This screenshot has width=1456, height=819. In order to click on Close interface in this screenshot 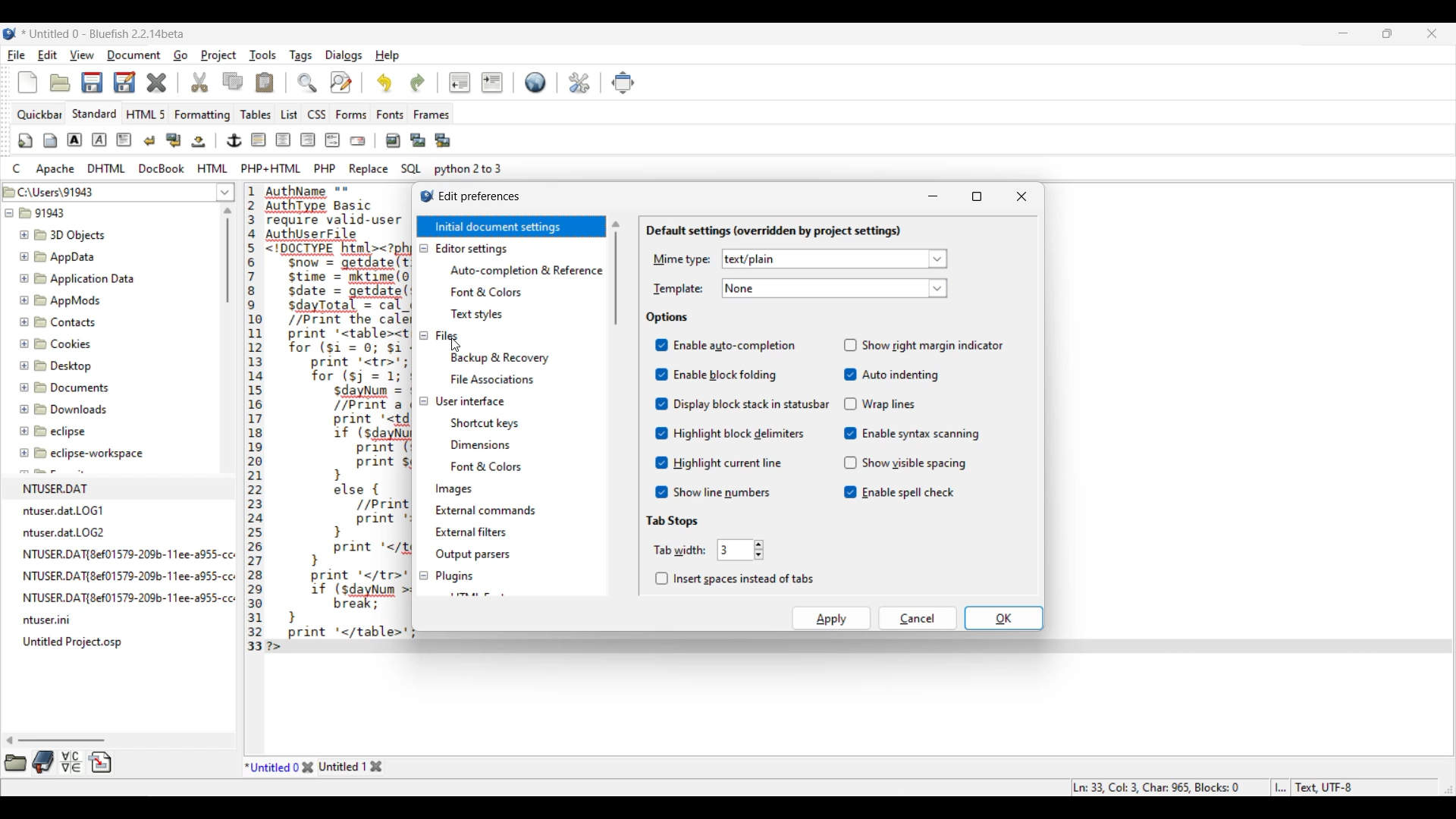, I will do `click(1432, 33)`.